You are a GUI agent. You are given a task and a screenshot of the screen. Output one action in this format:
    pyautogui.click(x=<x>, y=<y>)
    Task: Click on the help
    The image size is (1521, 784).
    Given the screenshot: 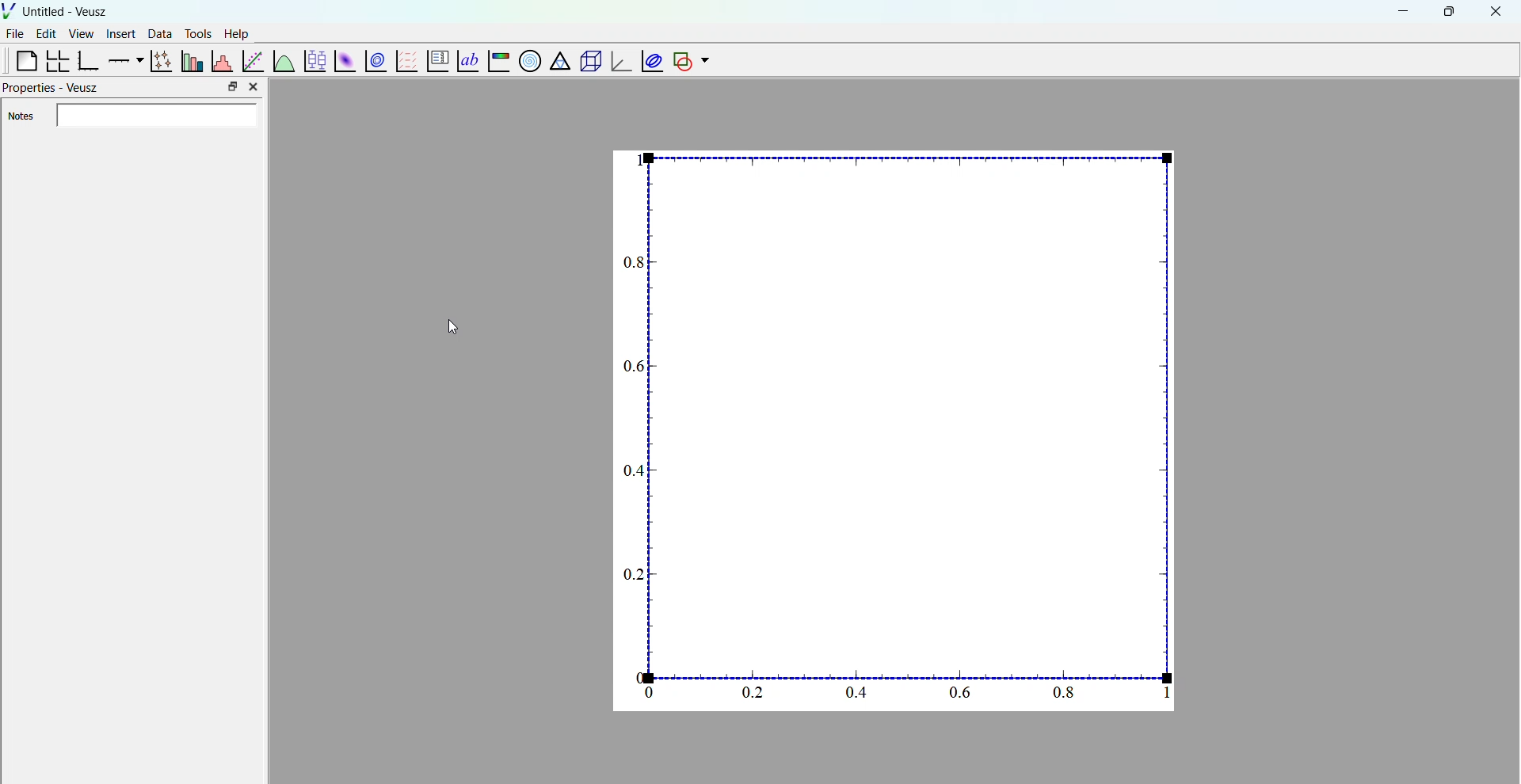 What is the action you would take?
    pyautogui.click(x=237, y=32)
    